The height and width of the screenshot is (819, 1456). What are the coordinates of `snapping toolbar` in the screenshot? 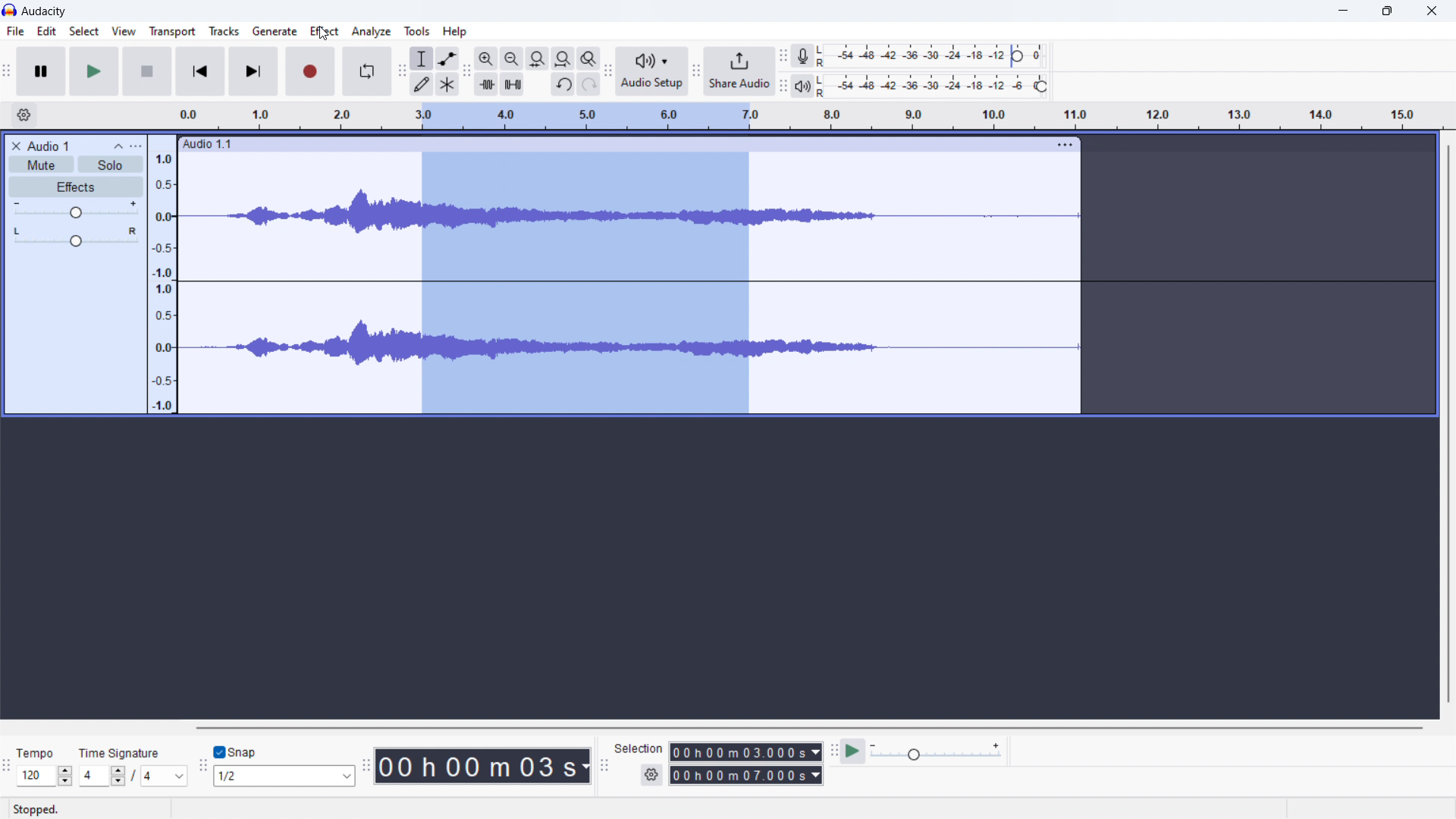 It's located at (202, 769).